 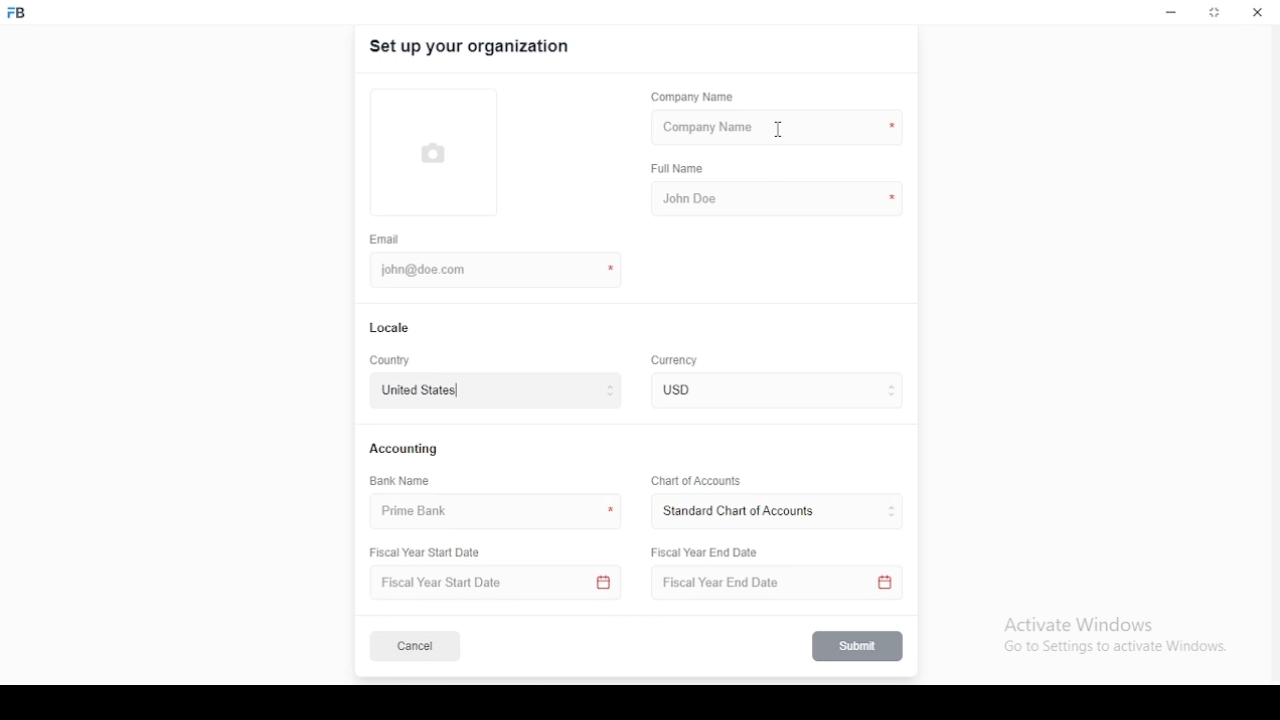 What do you see at coordinates (706, 552) in the screenshot?
I see `Fiscal Year End Date` at bounding box center [706, 552].